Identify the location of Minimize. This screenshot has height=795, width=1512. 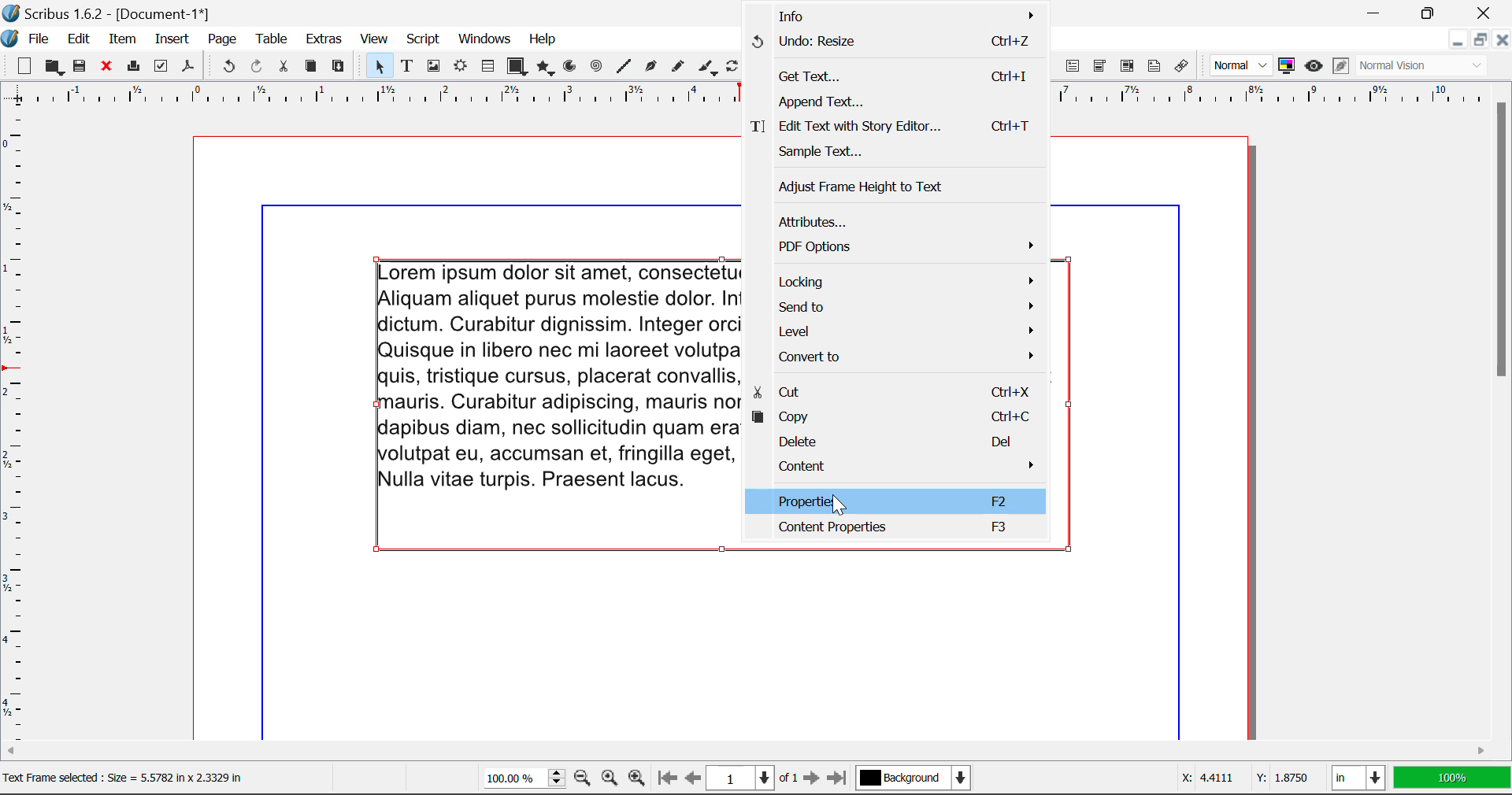
(1478, 39).